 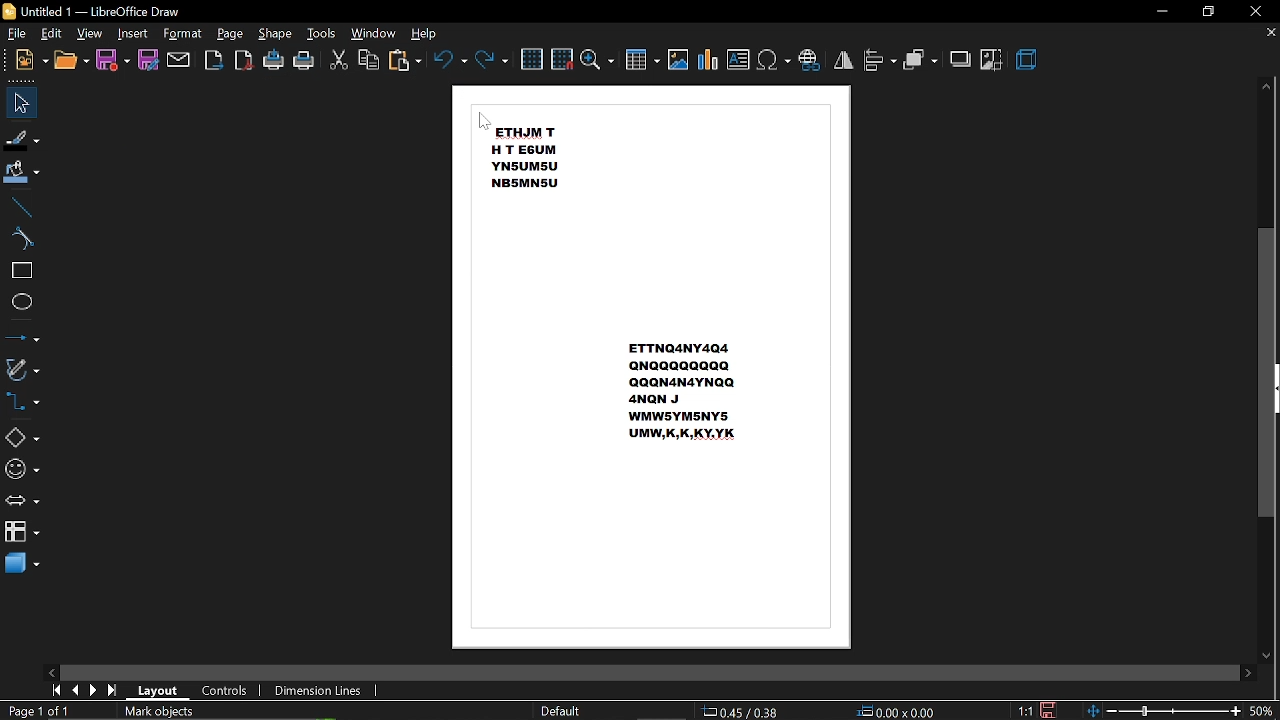 What do you see at coordinates (1270, 33) in the screenshot?
I see `close tab` at bounding box center [1270, 33].